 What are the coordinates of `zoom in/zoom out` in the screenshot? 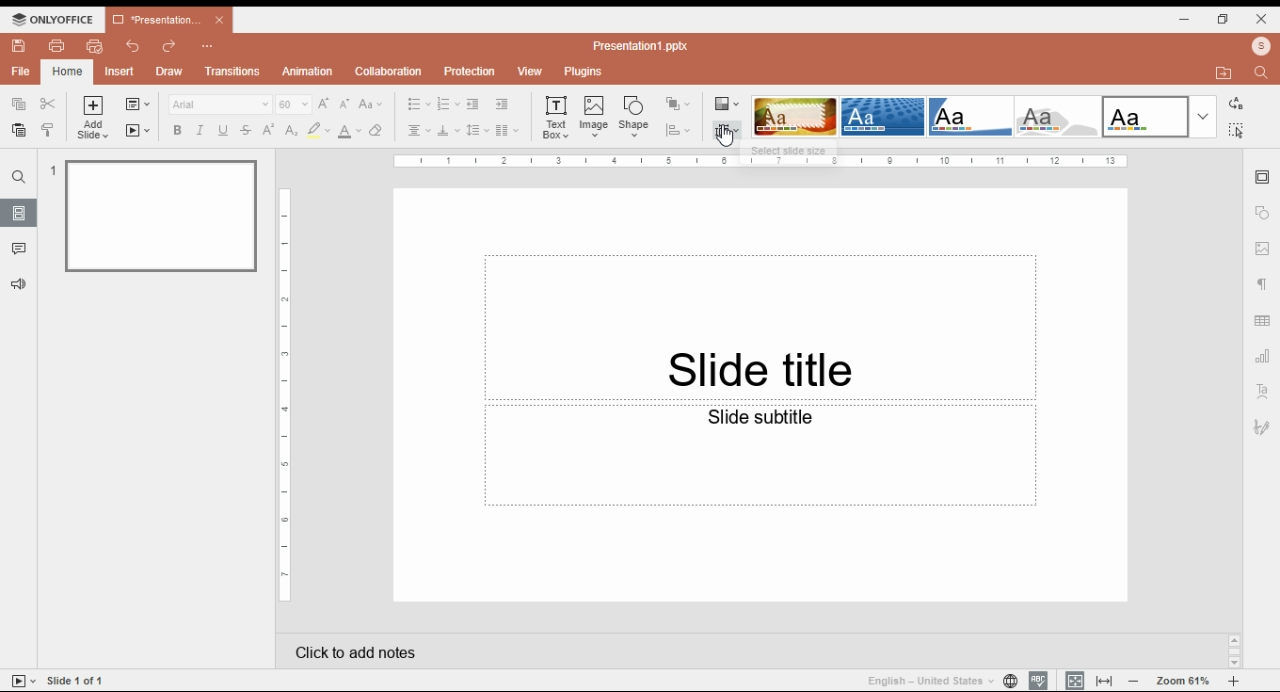 It's located at (1234, 681).